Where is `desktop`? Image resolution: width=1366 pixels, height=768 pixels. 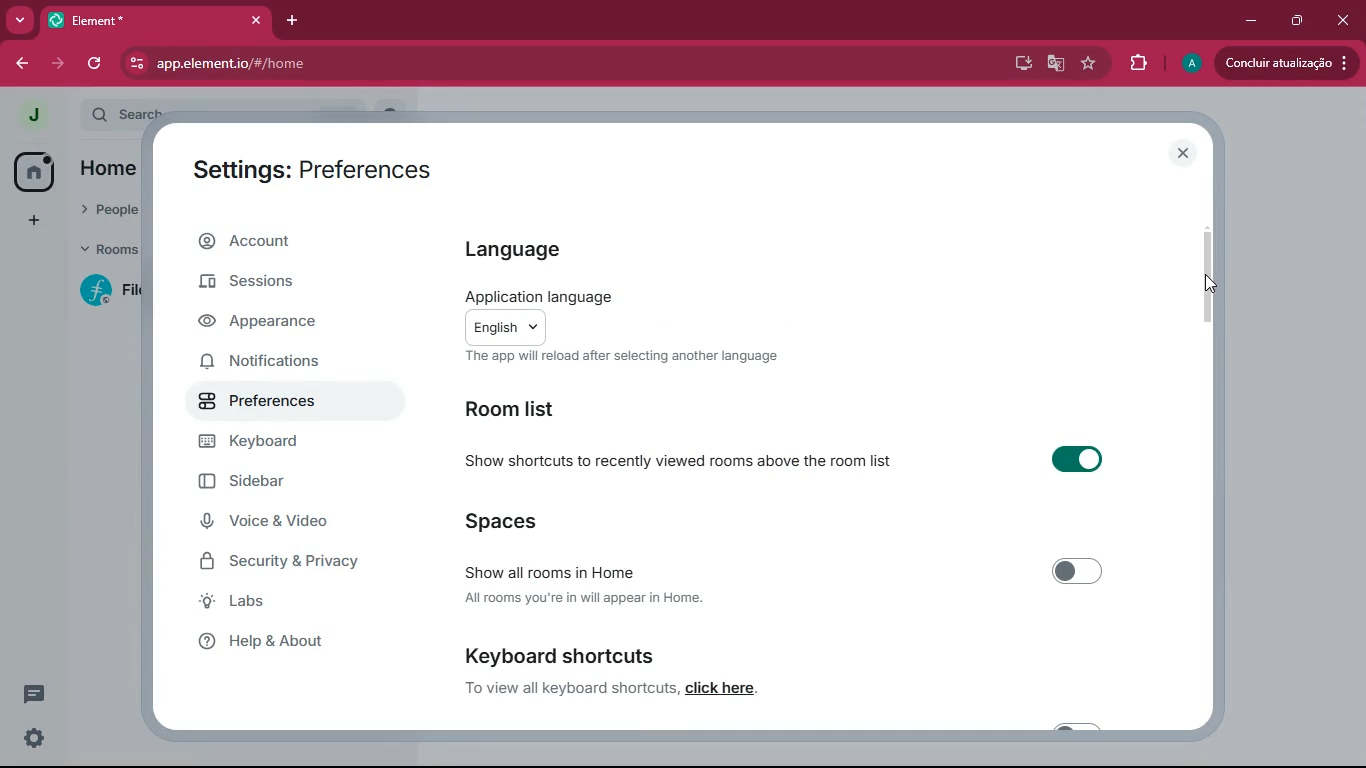
desktop is located at coordinates (1018, 64).